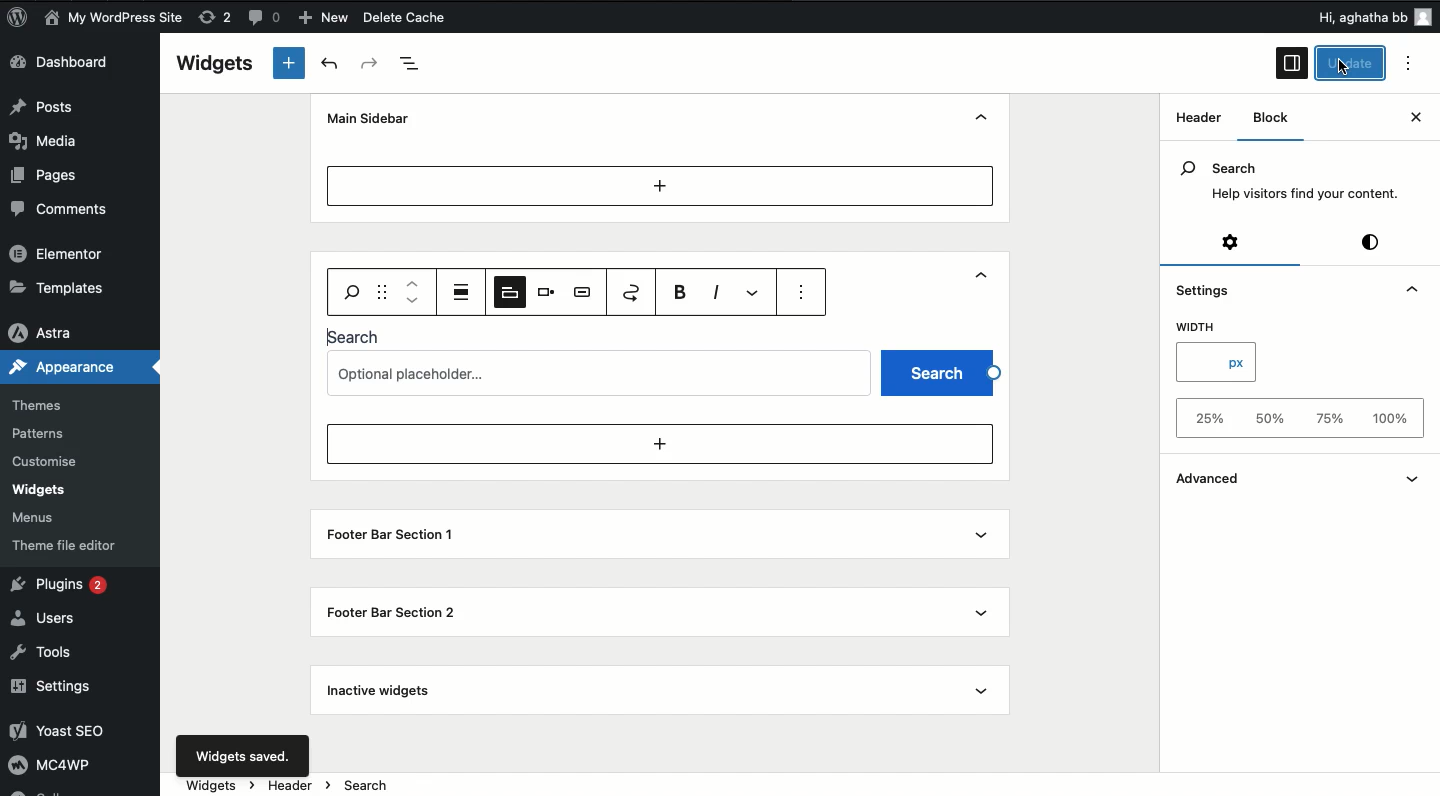 The image size is (1440, 796). What do you see at coordinates (1294, 419) in the screenshot?
I see `25% 50% 75% 100%` at bounding box center [1294, 419].